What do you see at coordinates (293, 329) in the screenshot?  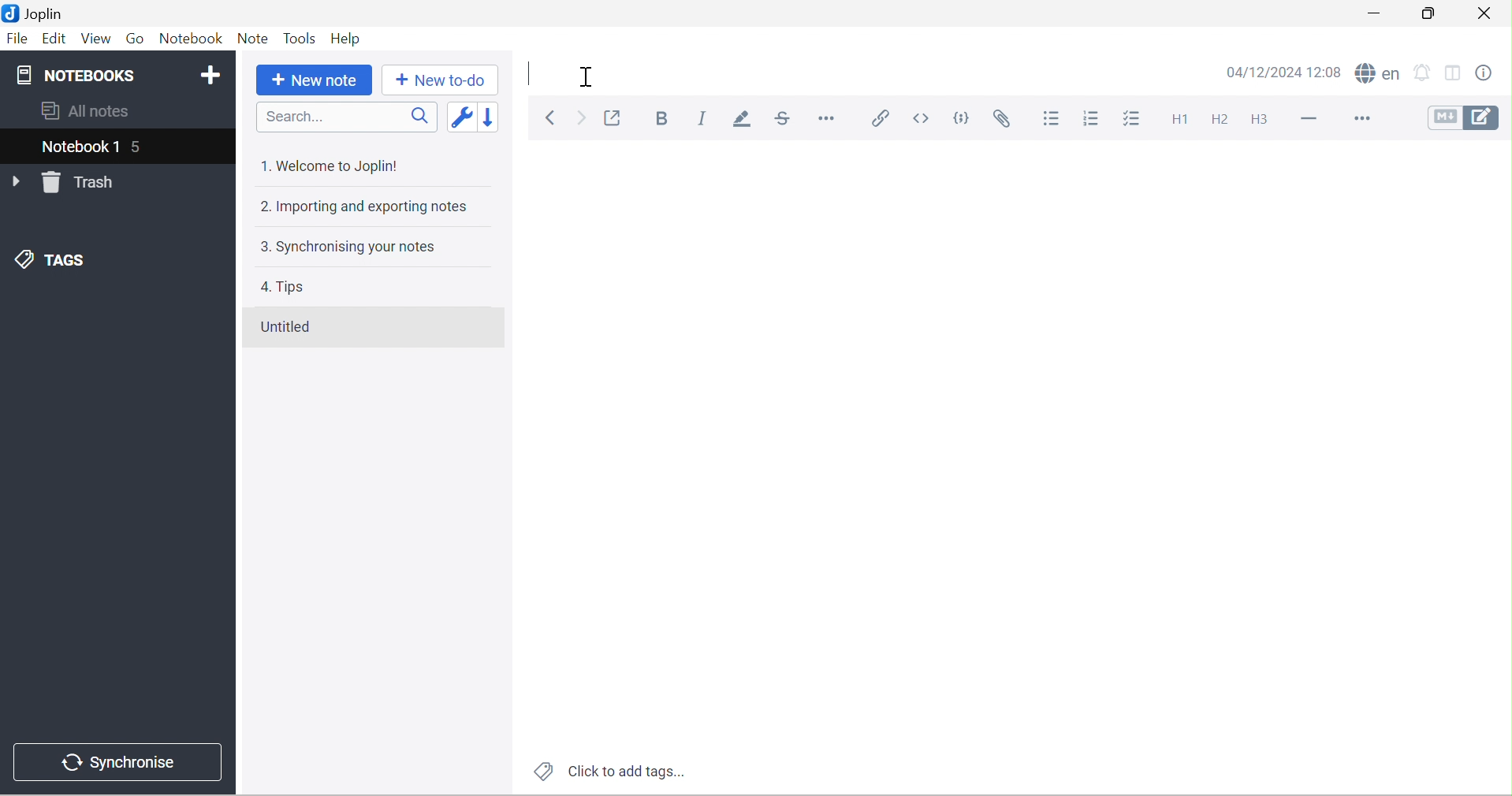 I see `Untitled` at bounding box center [293, 329].